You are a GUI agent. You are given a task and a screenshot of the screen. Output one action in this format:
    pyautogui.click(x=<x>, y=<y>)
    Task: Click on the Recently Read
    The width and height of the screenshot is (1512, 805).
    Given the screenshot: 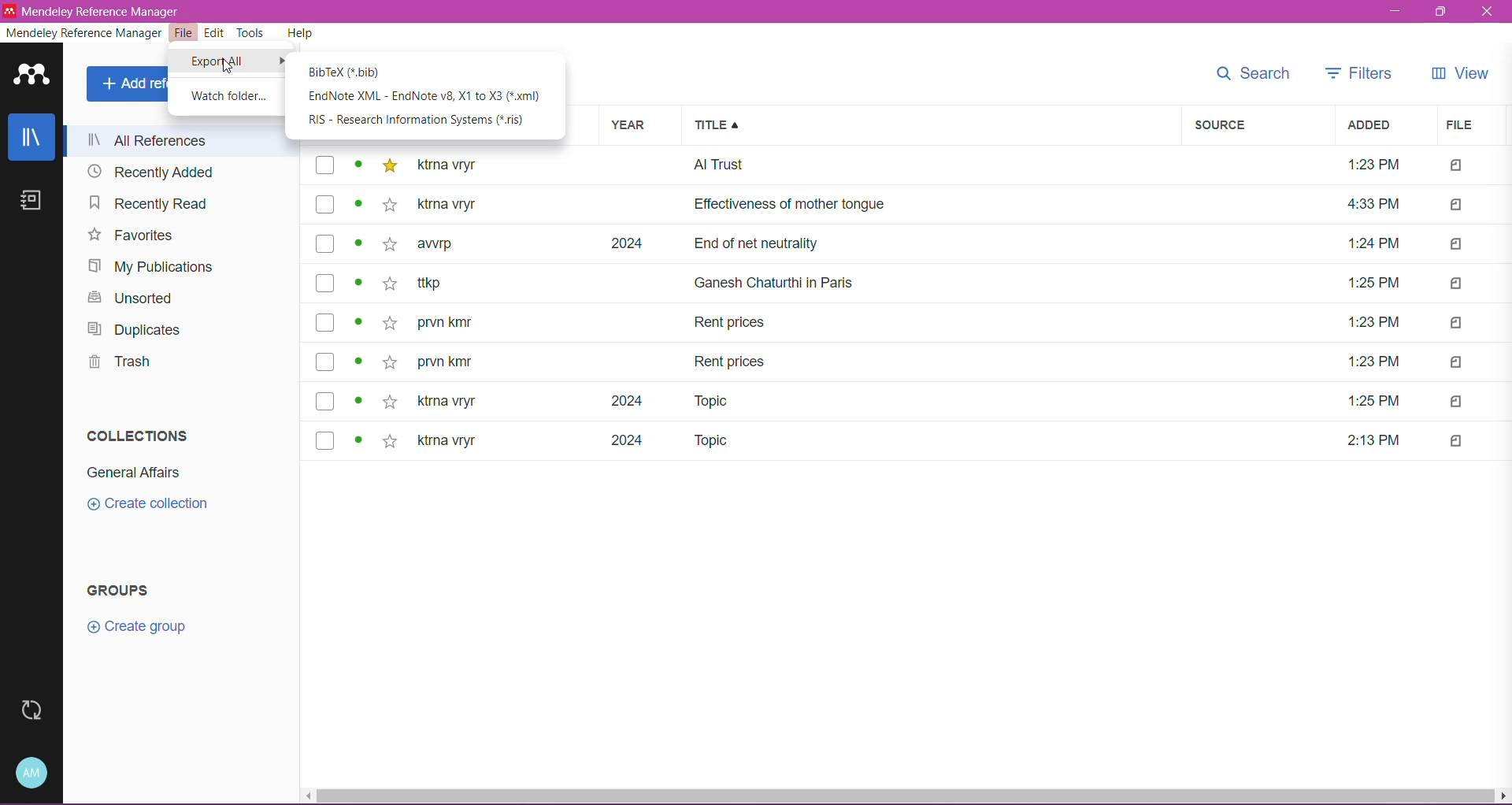 What is the action you would take?
    pyautogui.click(x=145, y=202)
    